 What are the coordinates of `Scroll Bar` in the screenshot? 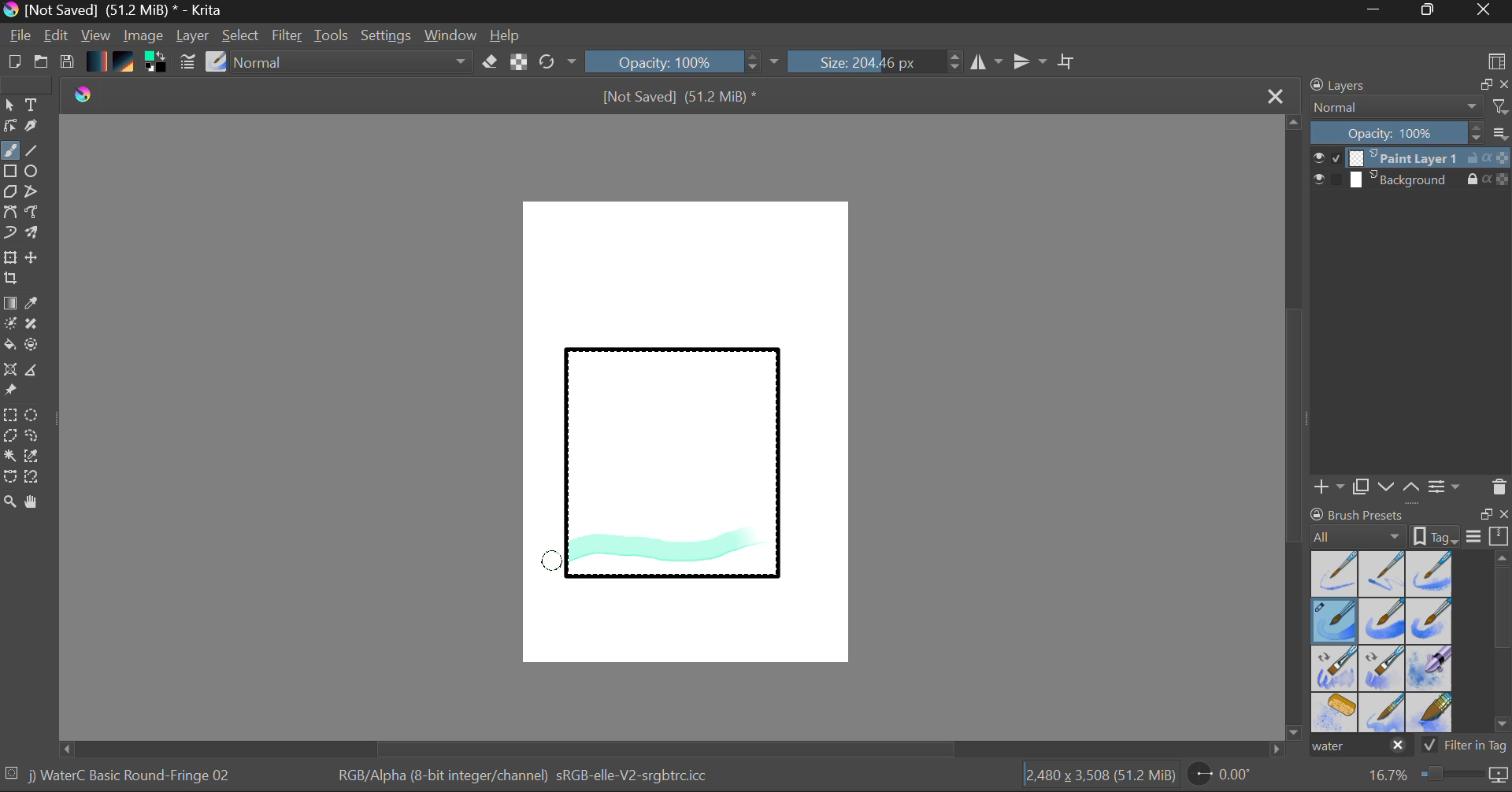 It's located at (673, 749).